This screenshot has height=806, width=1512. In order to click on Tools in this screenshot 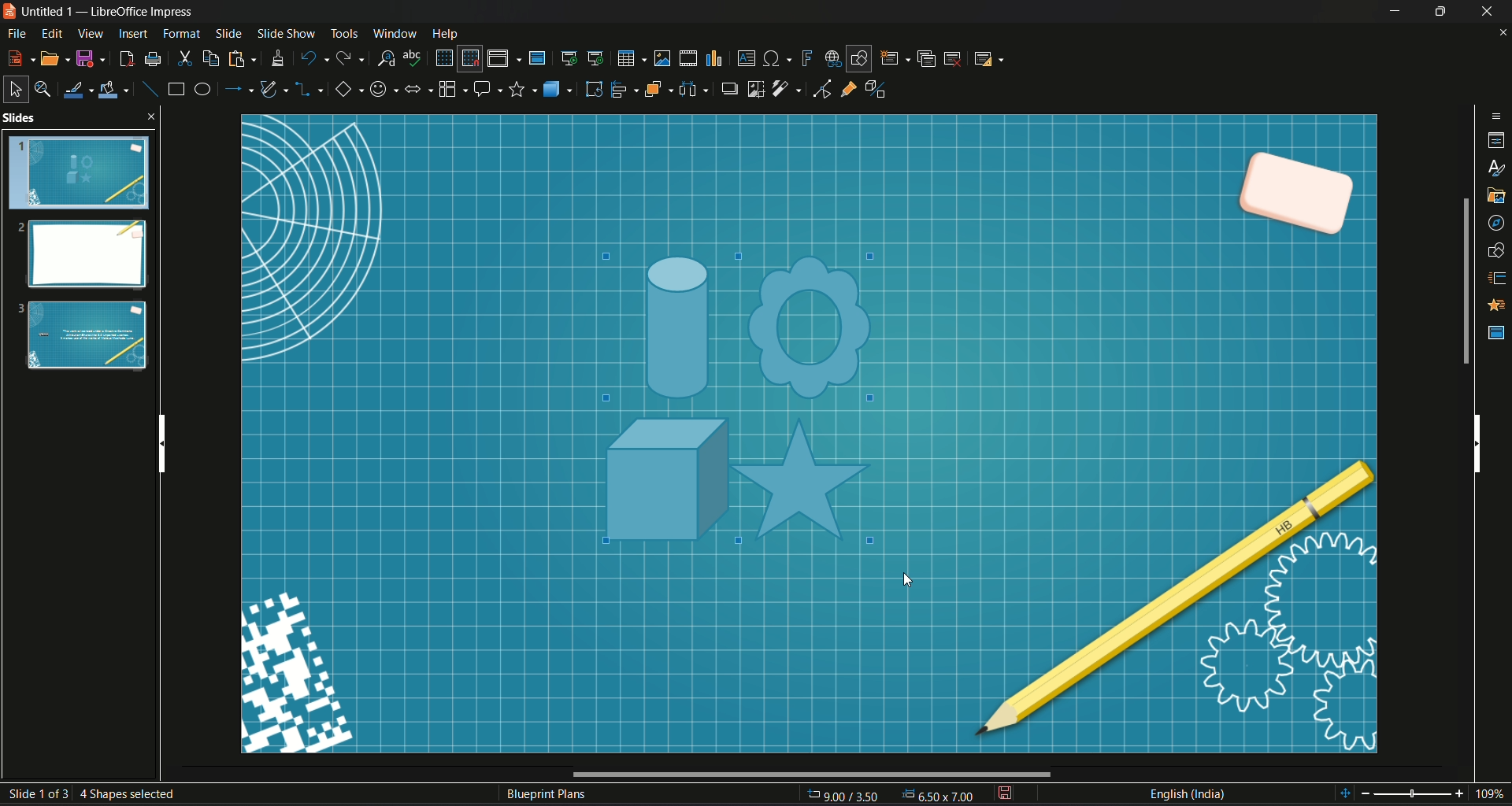, I will do `click(343, 31)`.